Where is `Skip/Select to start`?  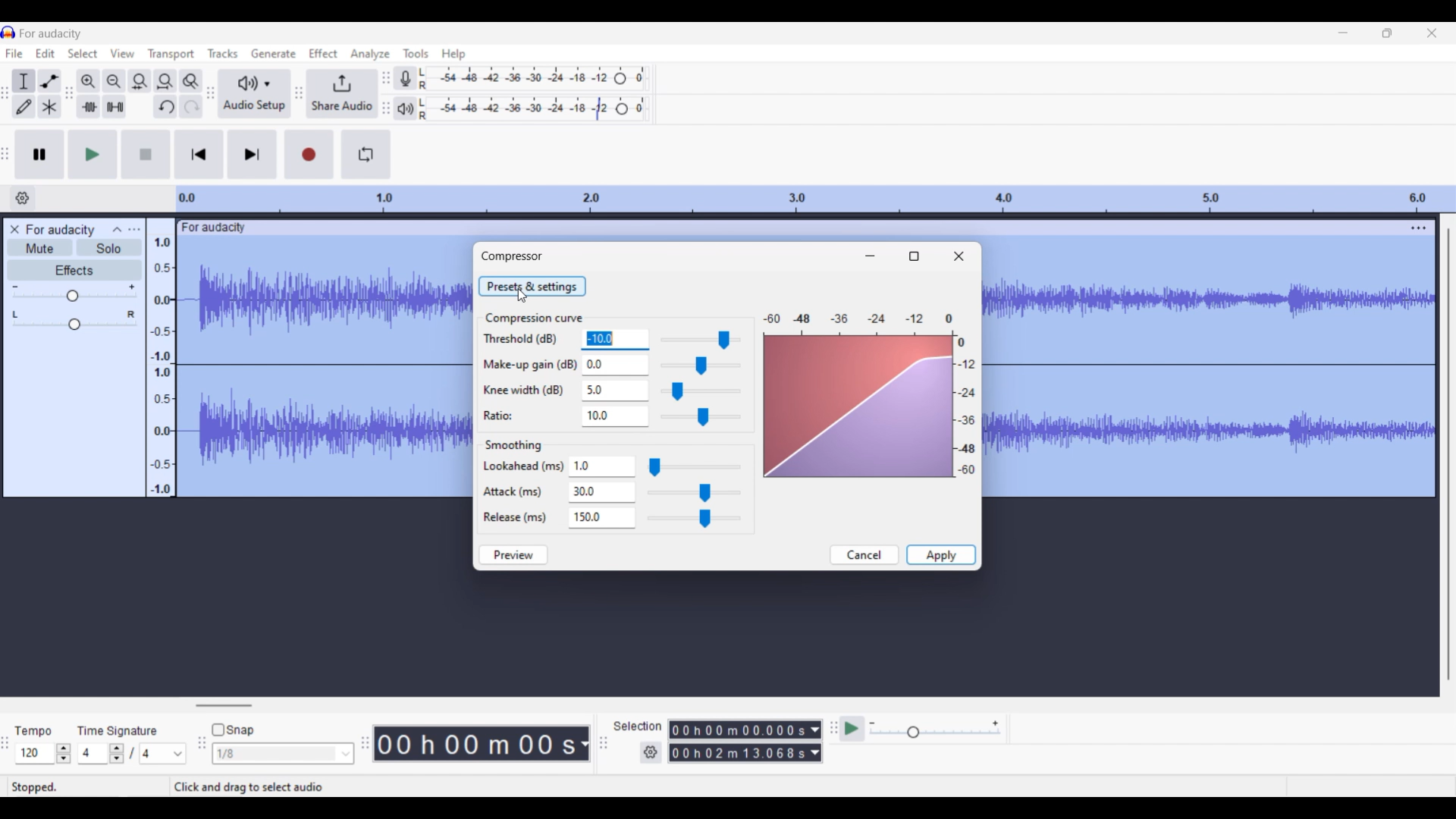 Skip/Select to start is located at coordinates (199, 155).